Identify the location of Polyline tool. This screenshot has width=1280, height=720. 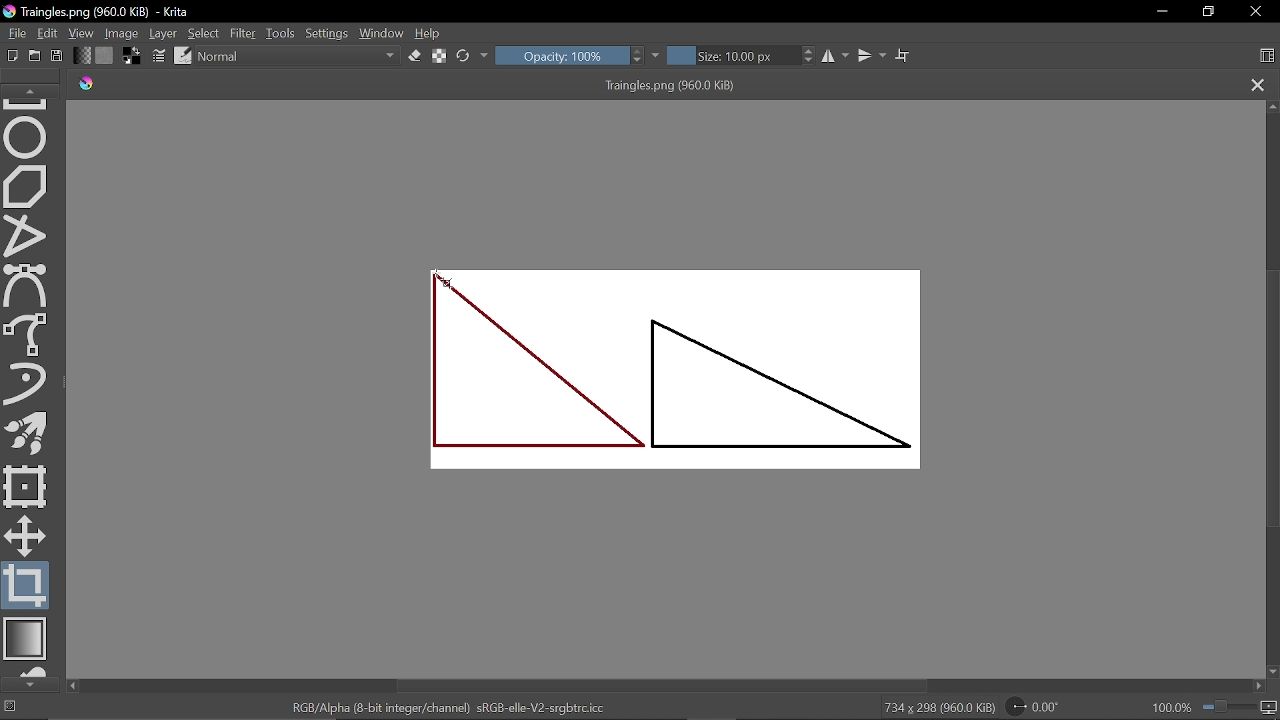
(27, 237).